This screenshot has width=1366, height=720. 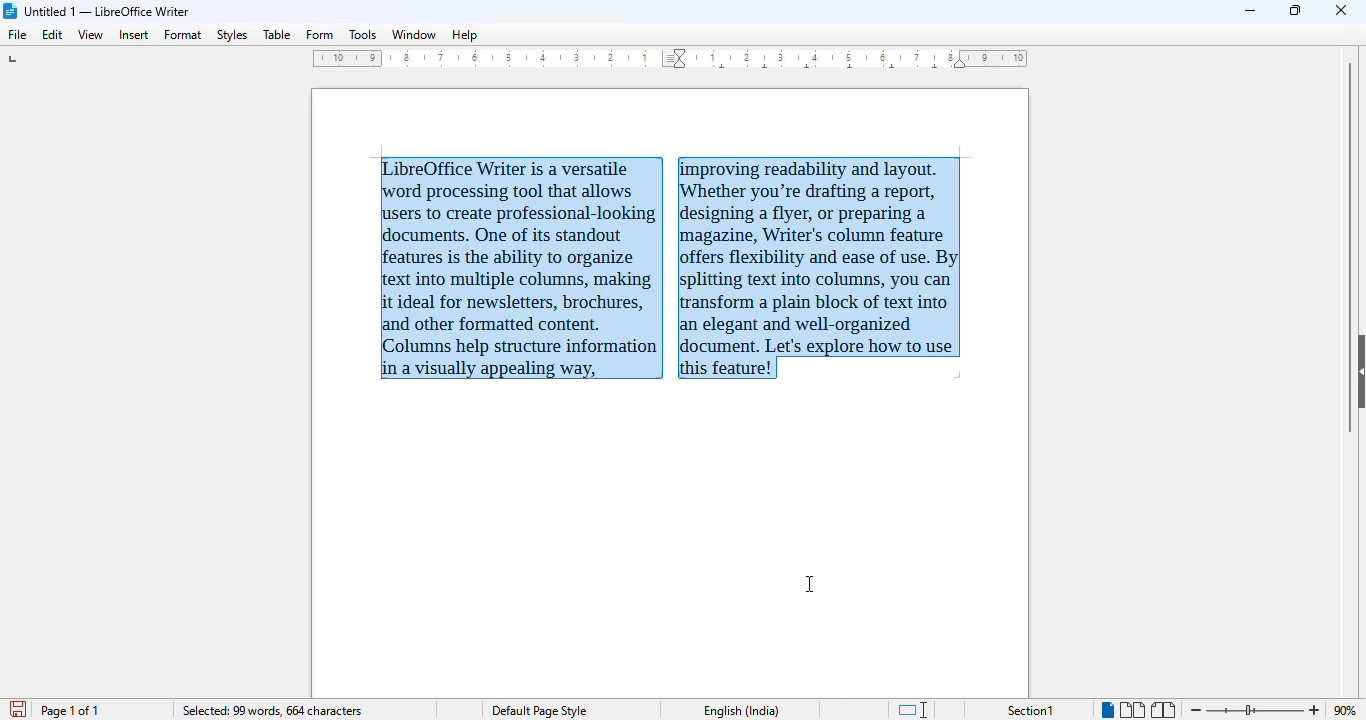 What do you see at coordinates (54, 35) in the screenshot?
I see `edit` at bounding box center [54, 35].